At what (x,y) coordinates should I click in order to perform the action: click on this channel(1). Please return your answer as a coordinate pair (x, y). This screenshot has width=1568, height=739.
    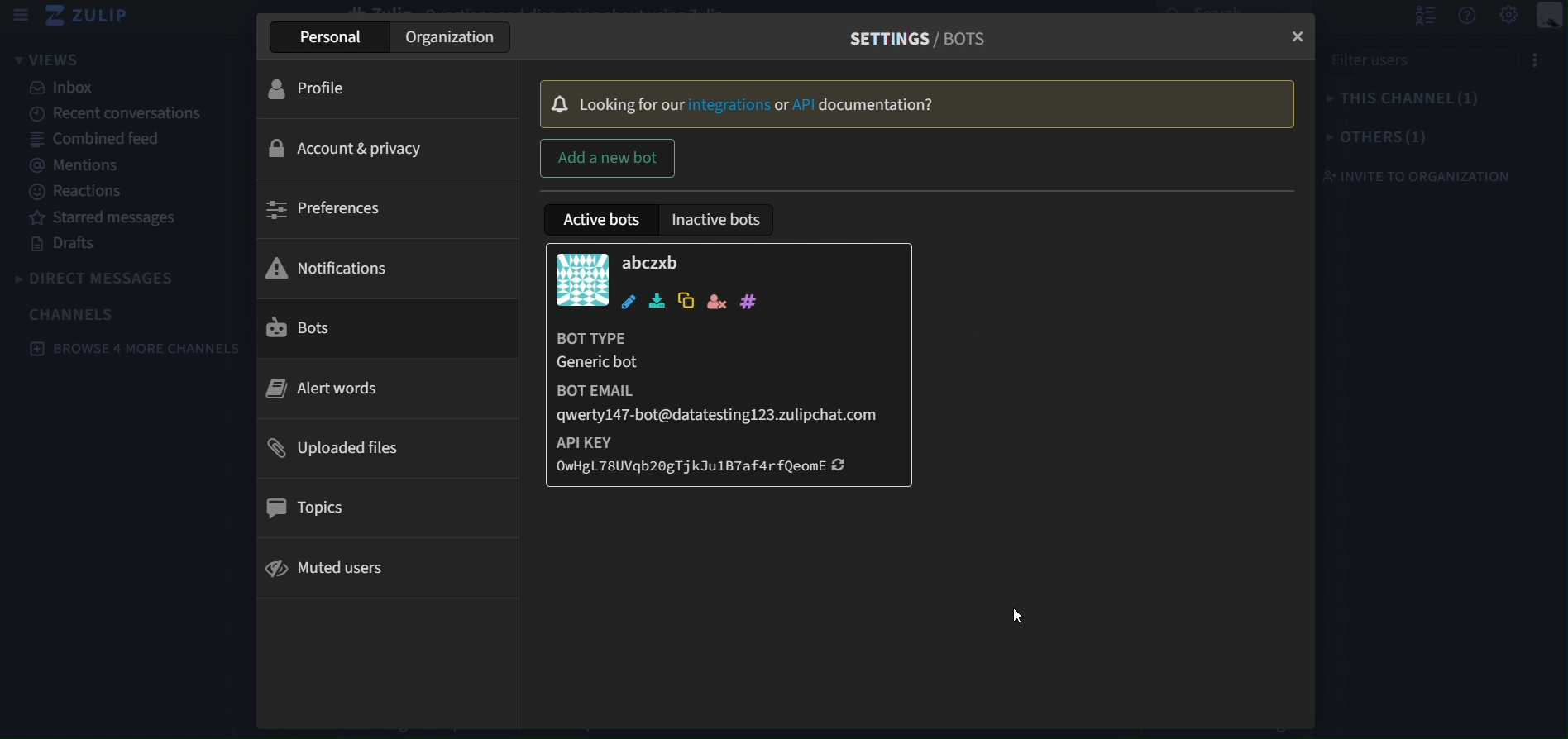
    Looking at the image, I should click on (1429, 102).